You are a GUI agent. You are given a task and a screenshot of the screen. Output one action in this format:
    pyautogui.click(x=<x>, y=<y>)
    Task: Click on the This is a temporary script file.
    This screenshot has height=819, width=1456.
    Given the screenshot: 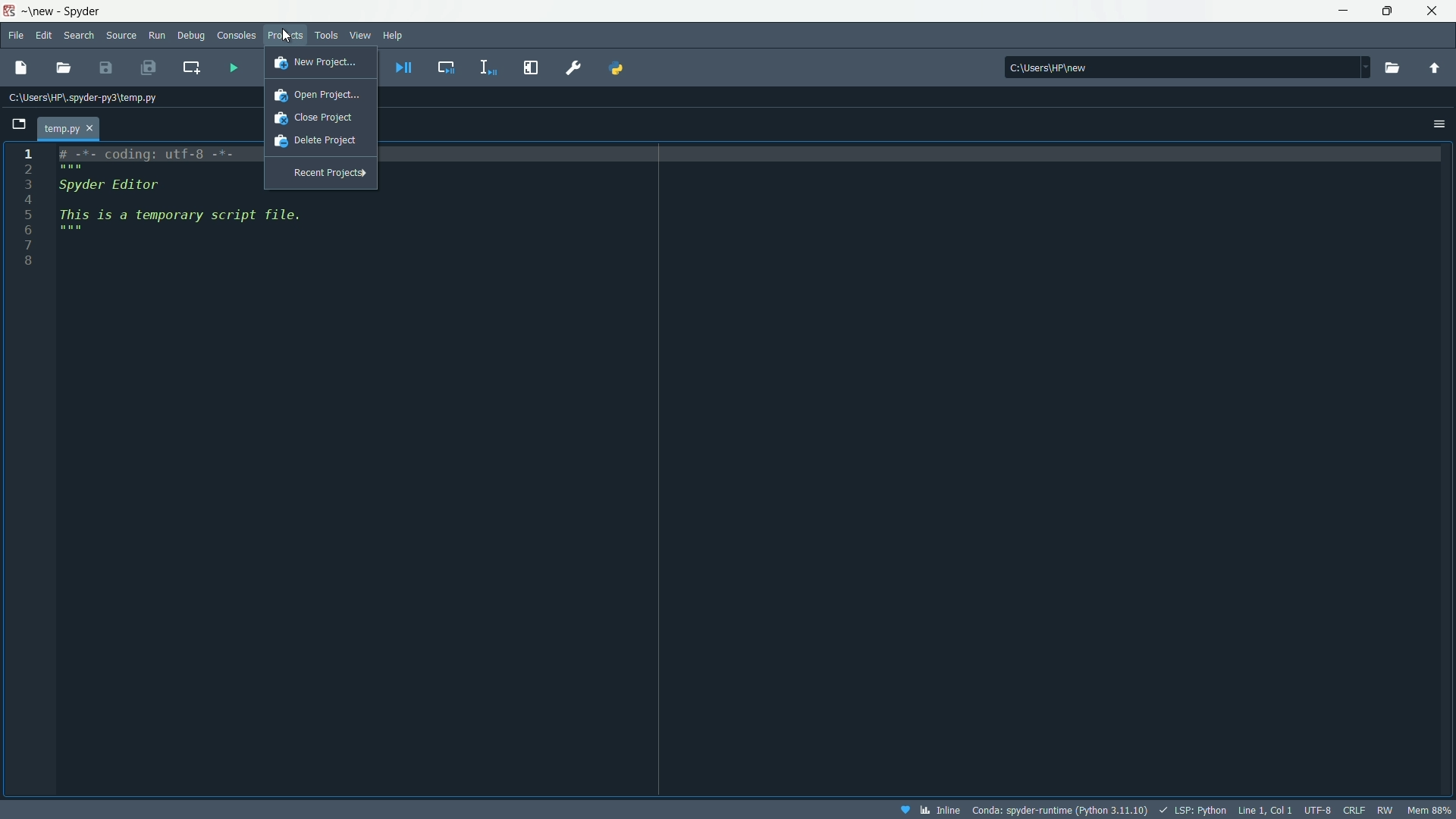 What is the action you would take?
    pyautogui.click(x=202, y=224)
    